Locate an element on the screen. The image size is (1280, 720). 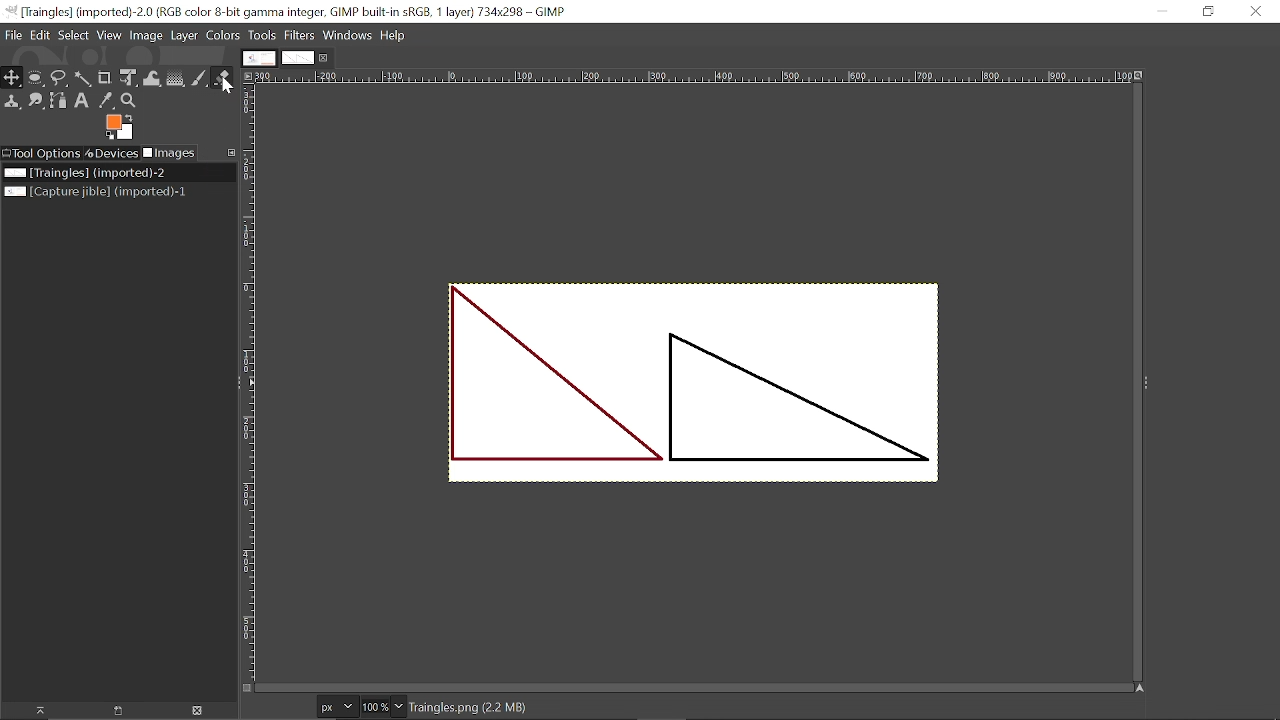
Gradient tool is located at coordinates (176, 77).